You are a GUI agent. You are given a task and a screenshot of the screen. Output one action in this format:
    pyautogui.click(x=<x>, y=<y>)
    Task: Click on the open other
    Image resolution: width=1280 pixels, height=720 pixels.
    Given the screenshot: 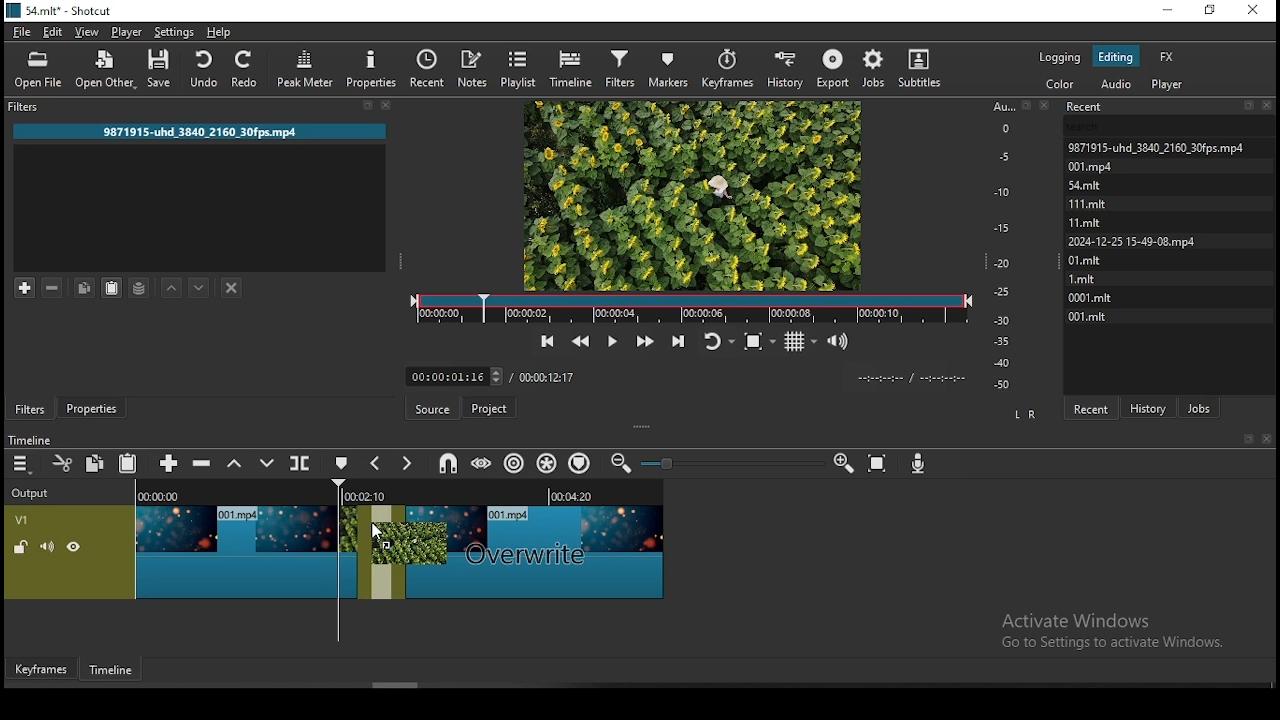 What is the action you would take?
    pyautogui.click(x=107, y=72)
    